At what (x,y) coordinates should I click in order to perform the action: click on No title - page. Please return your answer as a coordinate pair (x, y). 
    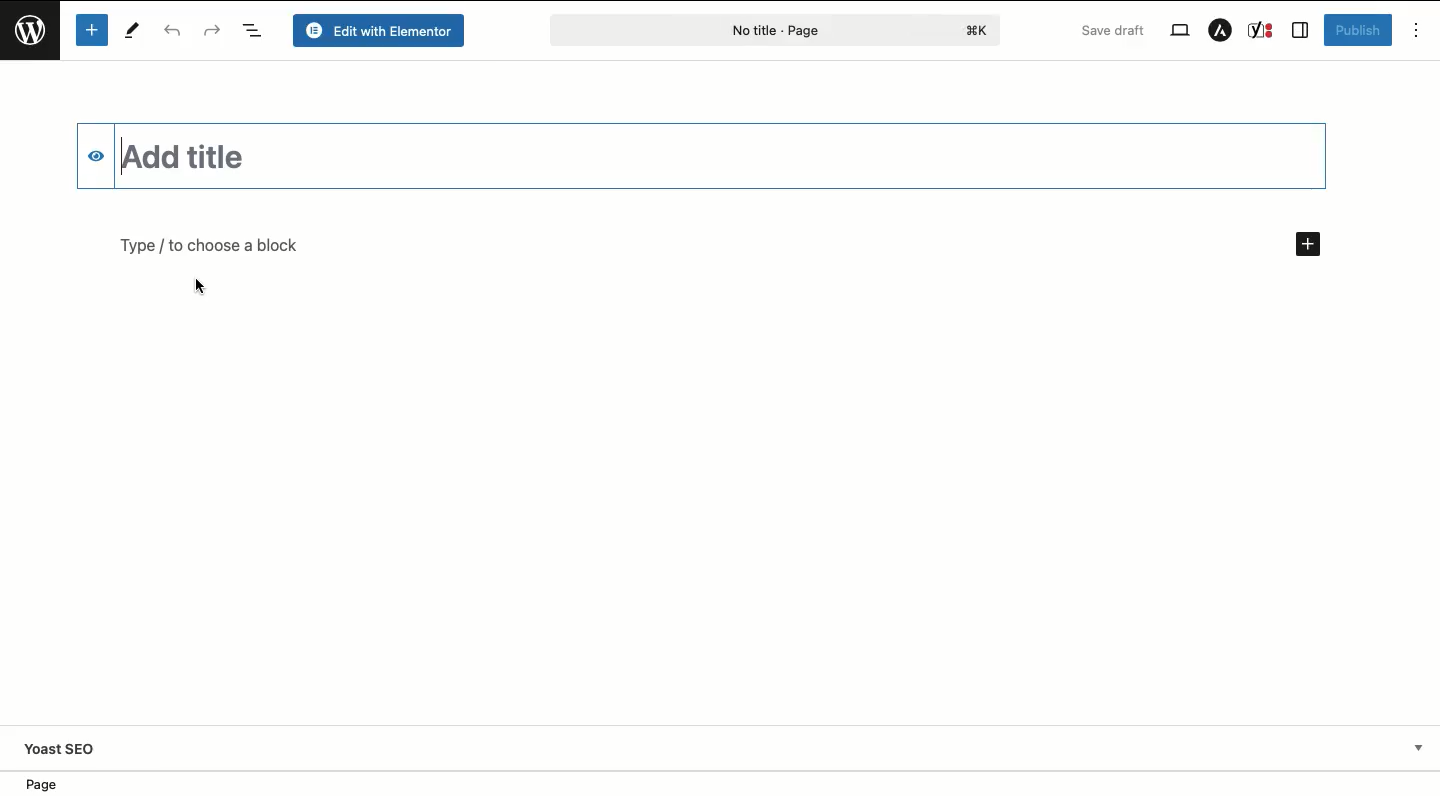
    Looking at the image, I should click on (706, 34).